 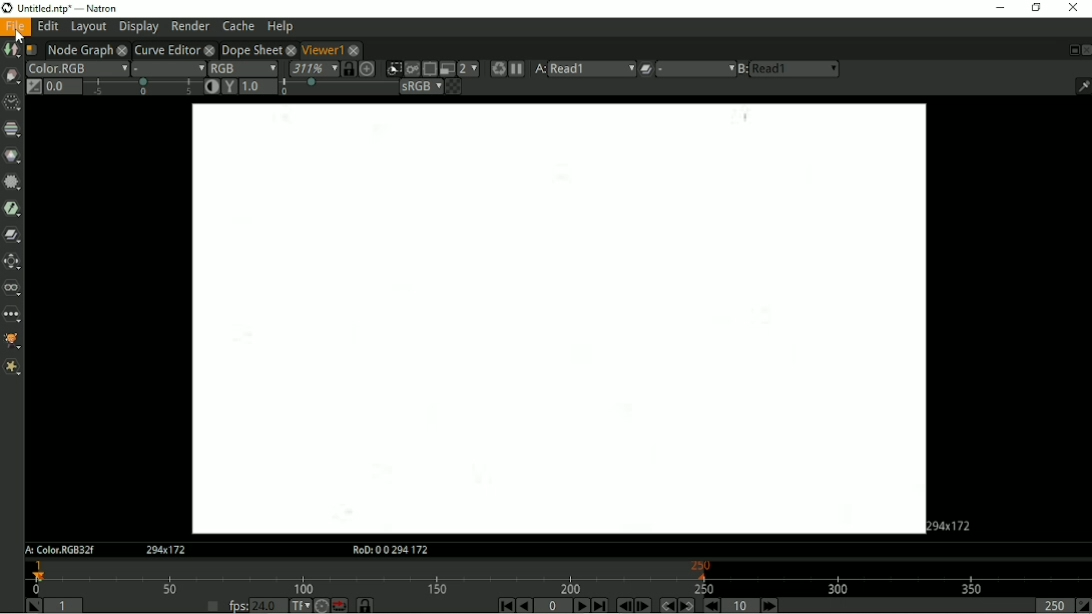 I want to click on Minimize, so click(x=1000, y=8).